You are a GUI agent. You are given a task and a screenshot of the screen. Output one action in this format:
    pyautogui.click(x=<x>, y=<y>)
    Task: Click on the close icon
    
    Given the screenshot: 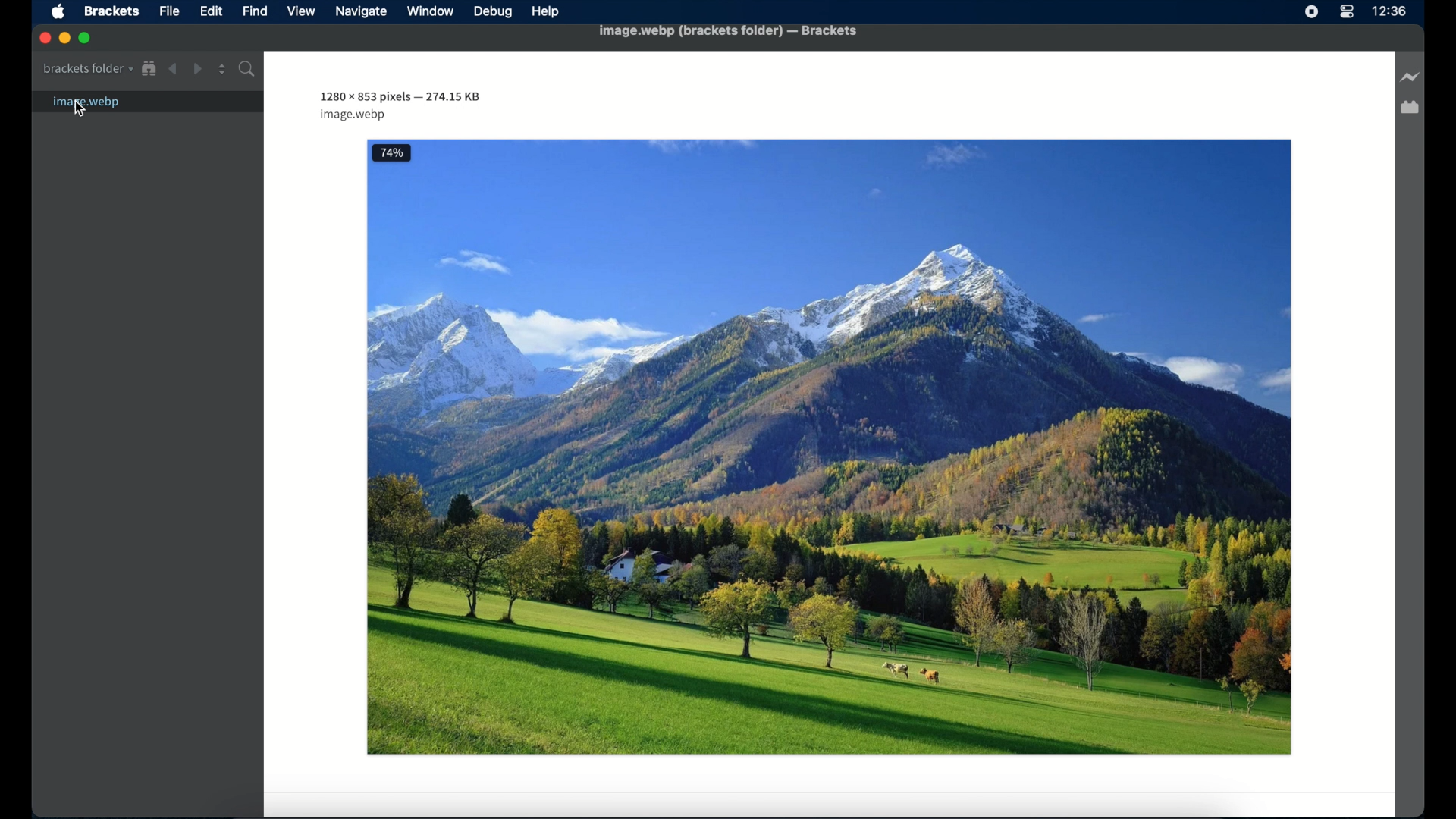 What is the action you would take?
    pyautogui.click(x=43, y=38)
    